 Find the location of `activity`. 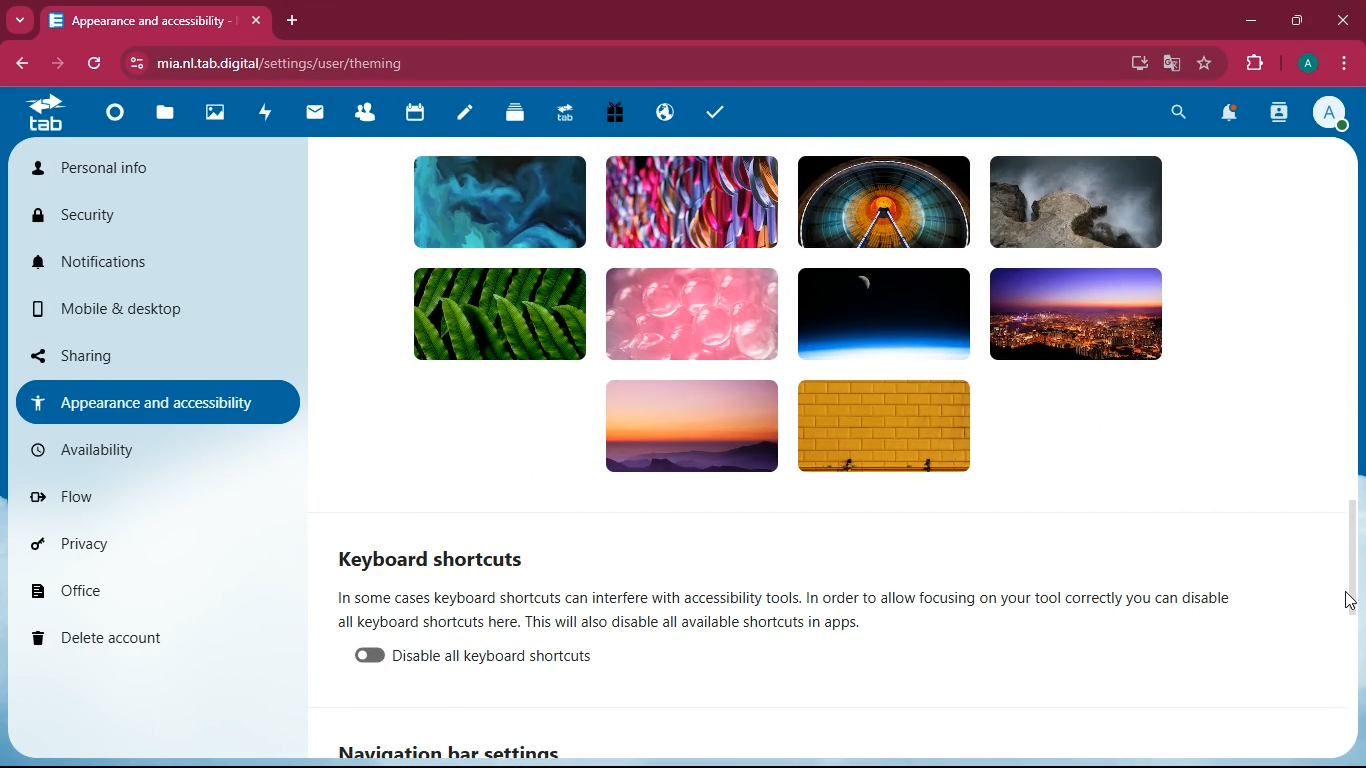

activity is located at coordinates (1277, 115).